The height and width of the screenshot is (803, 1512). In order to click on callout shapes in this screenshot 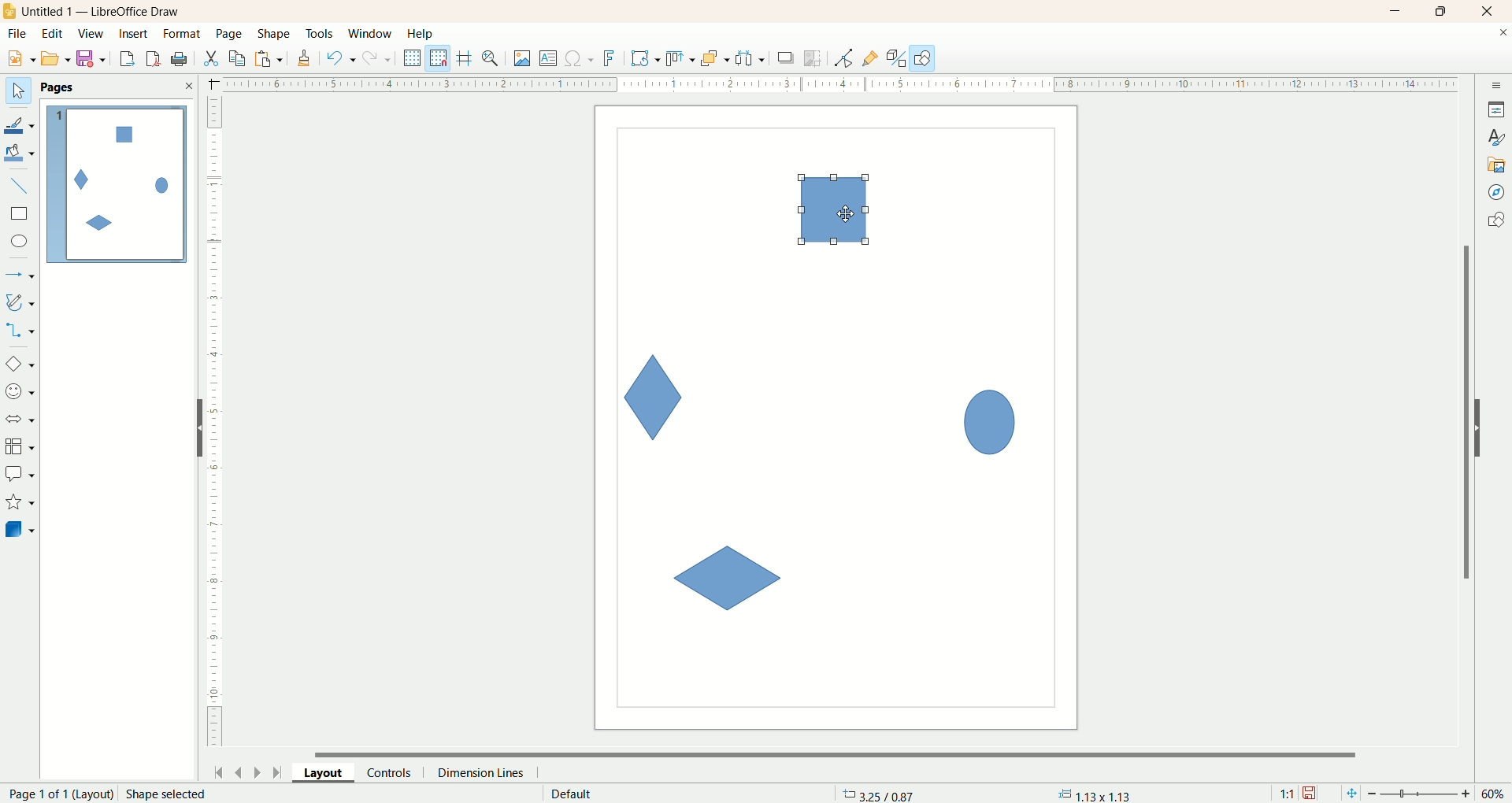, I will do `click(20, 475)`.